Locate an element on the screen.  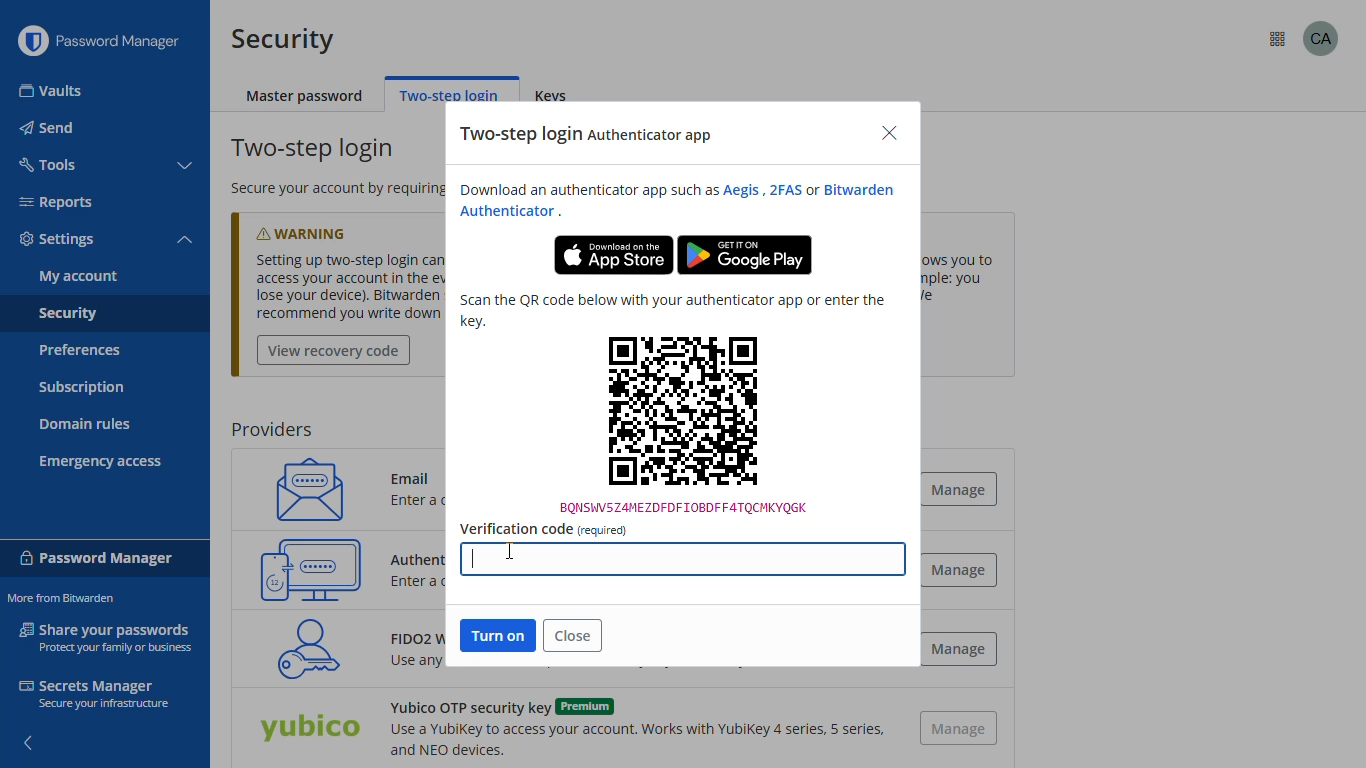
get it on google play is located at coordinates (745, 255).